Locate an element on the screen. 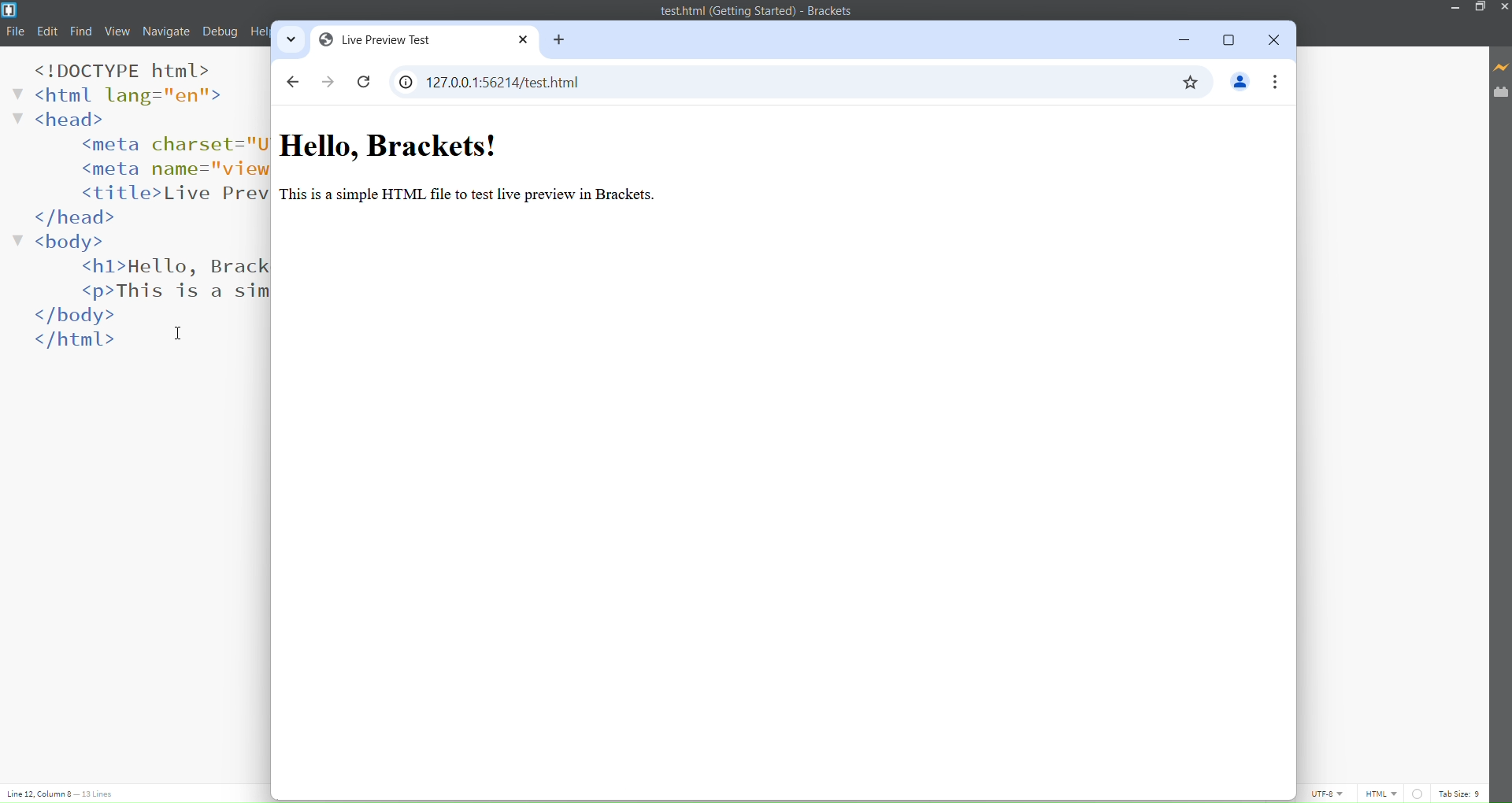 The image size is (1512, 803). Minimize is located at coordinates (1186, 38).